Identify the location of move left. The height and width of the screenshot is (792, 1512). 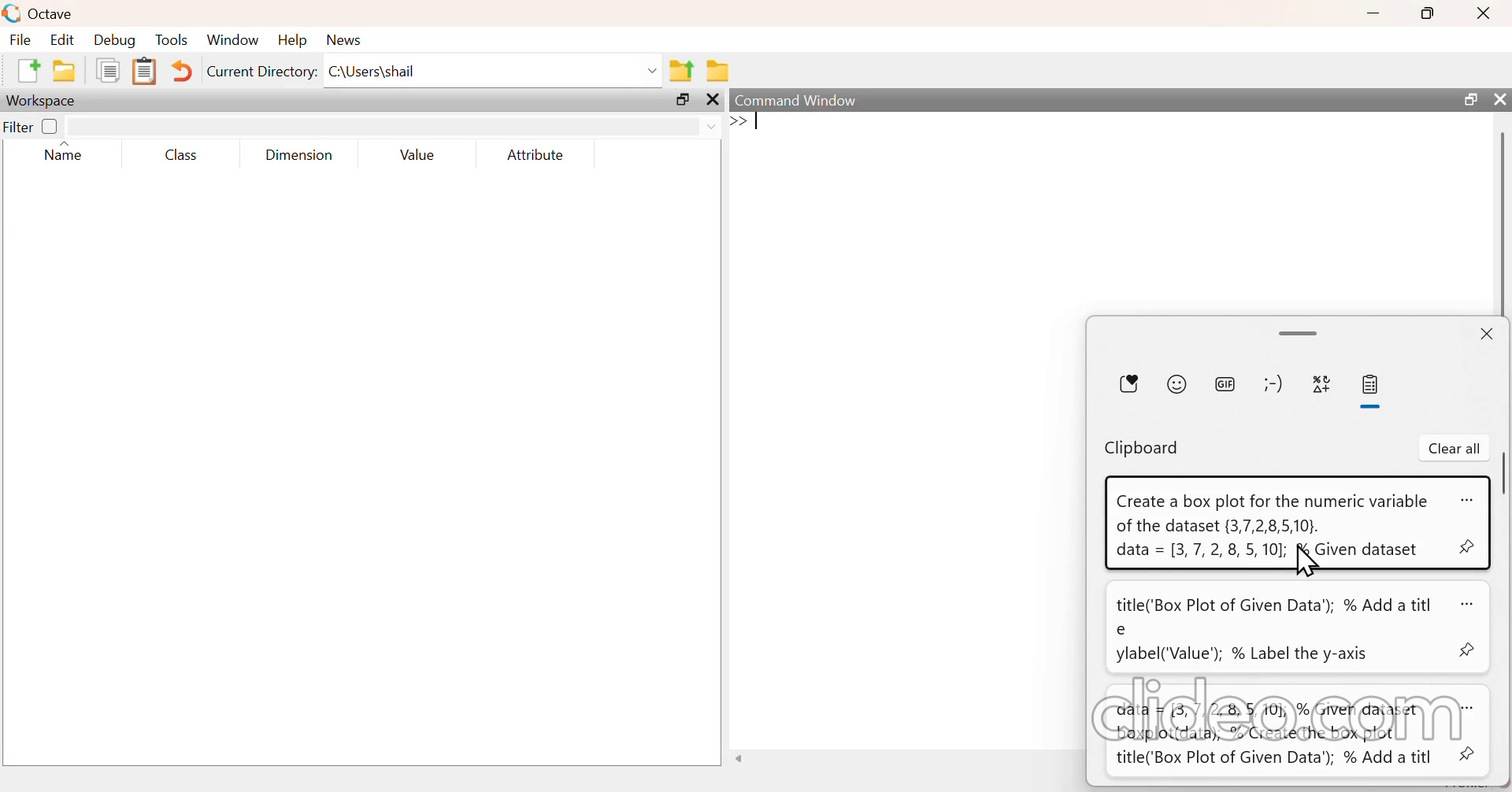
(742, 758).